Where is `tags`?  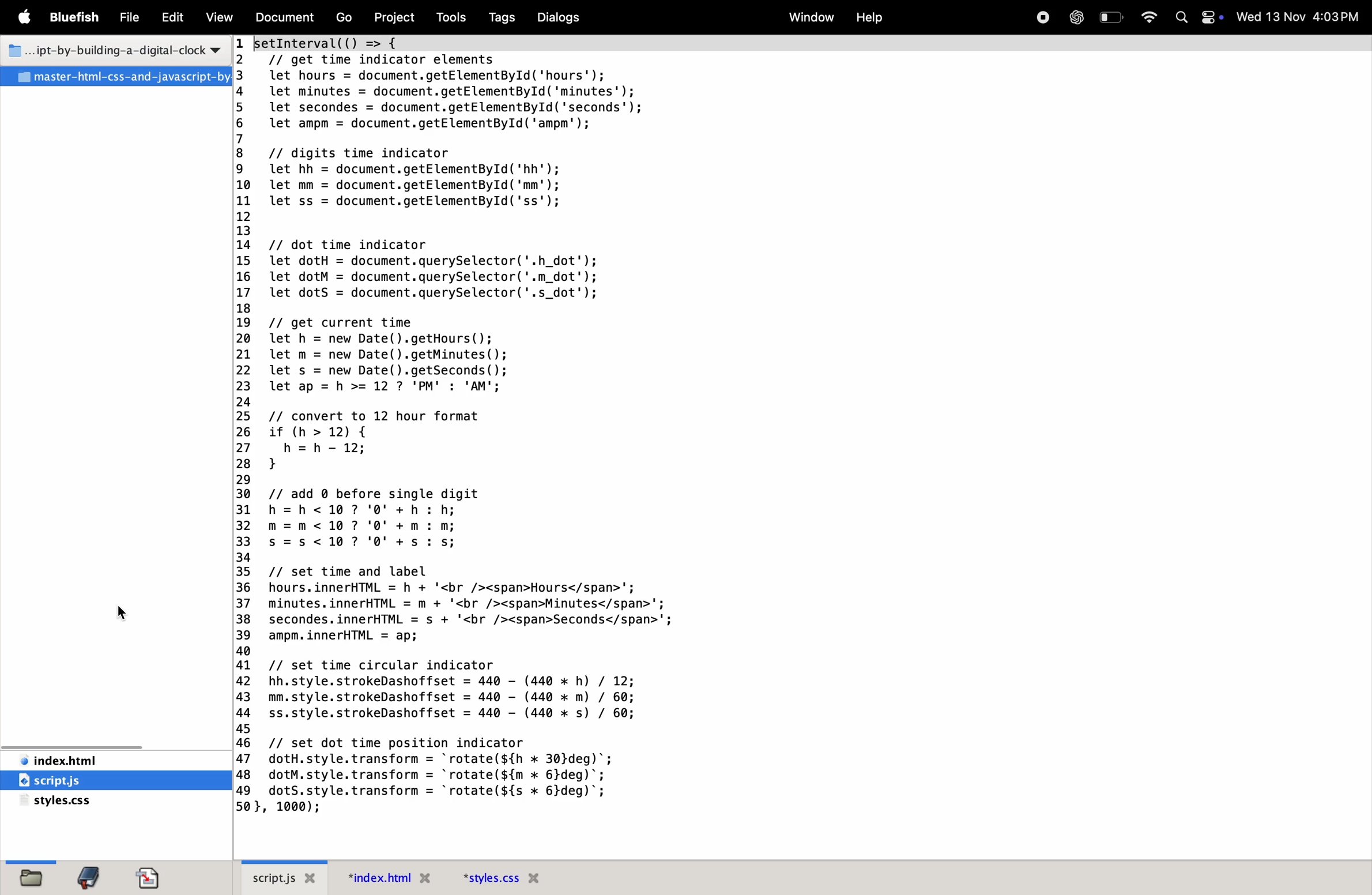 tags is located at coordinates (499, 18).